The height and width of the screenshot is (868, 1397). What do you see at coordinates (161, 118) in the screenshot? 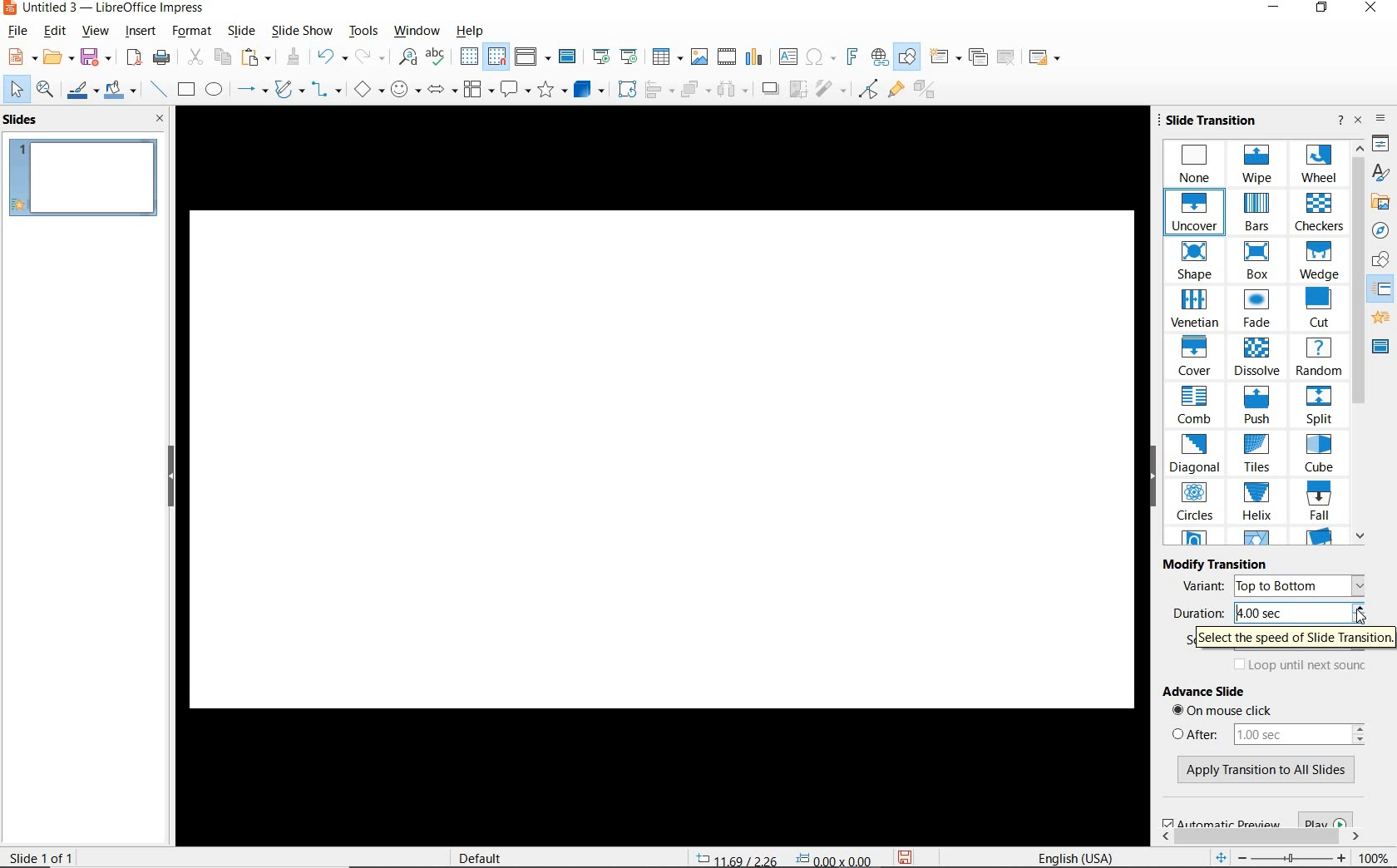
I see `CLOSE` at bounding box center [161, 118].